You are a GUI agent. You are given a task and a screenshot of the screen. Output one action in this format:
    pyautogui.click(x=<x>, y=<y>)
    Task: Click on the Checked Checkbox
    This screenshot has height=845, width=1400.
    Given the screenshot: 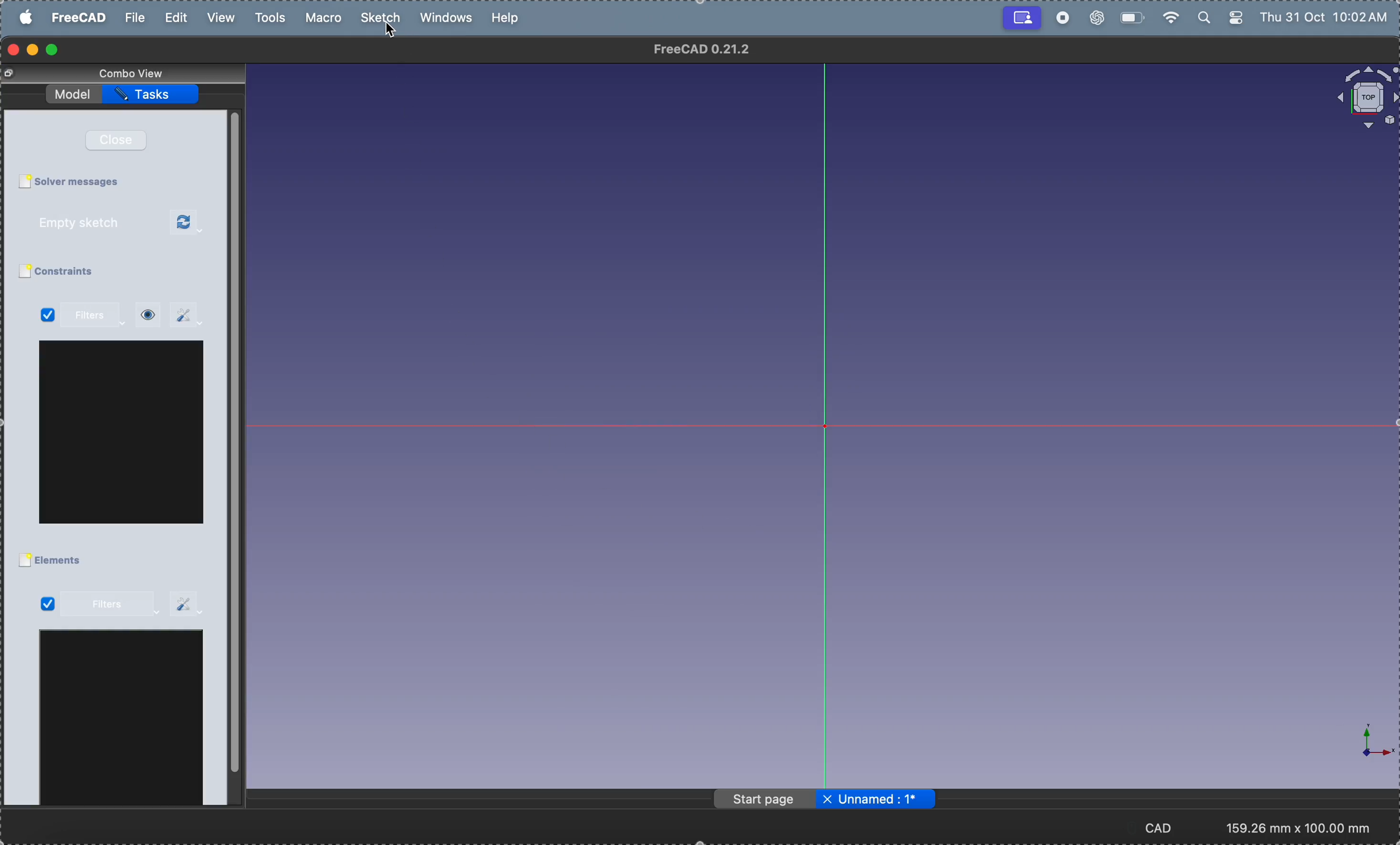 What is the action you would take?
    pyautogui.click(x=47, y=604)
    